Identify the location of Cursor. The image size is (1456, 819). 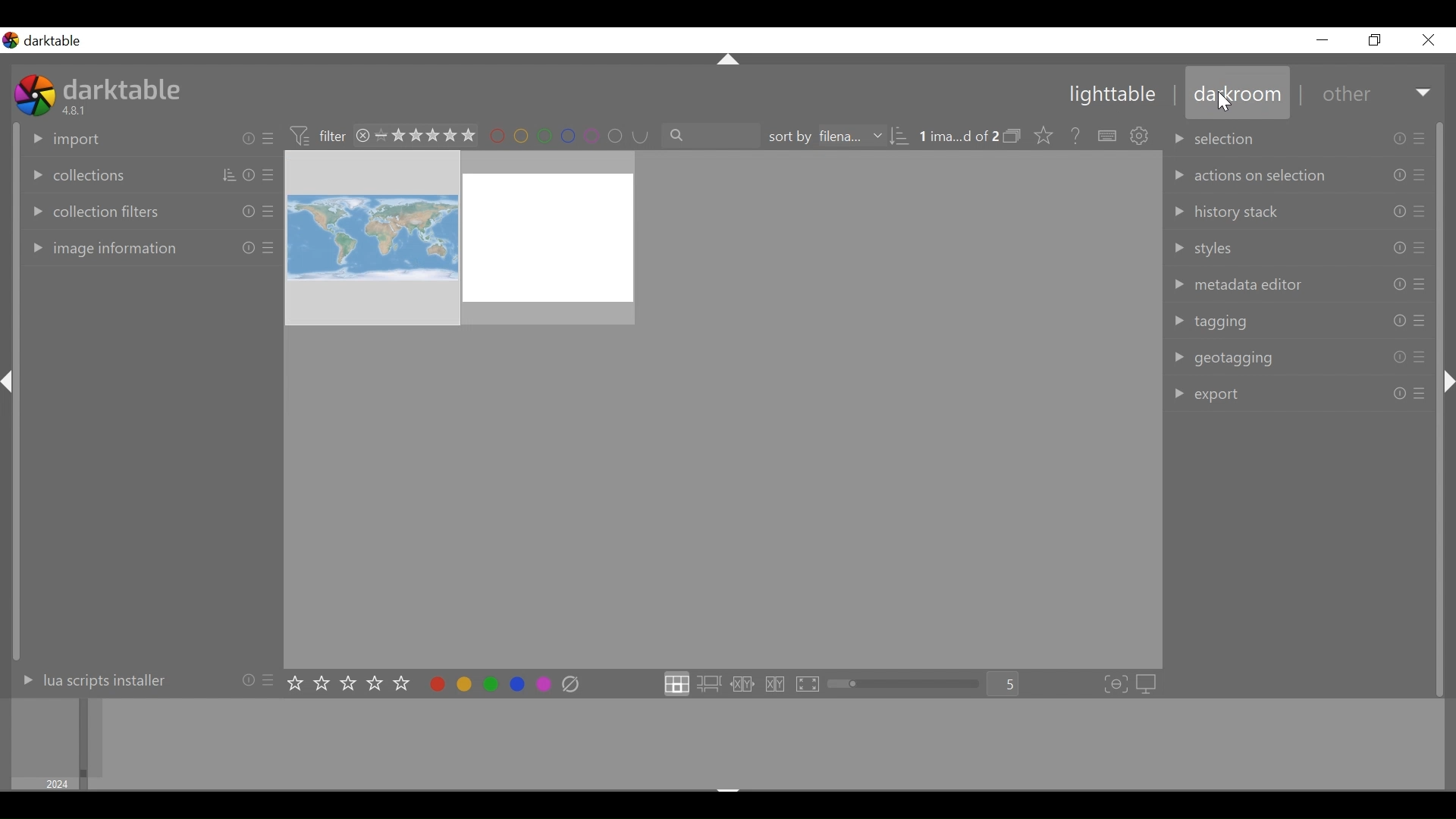
(1227, 103).